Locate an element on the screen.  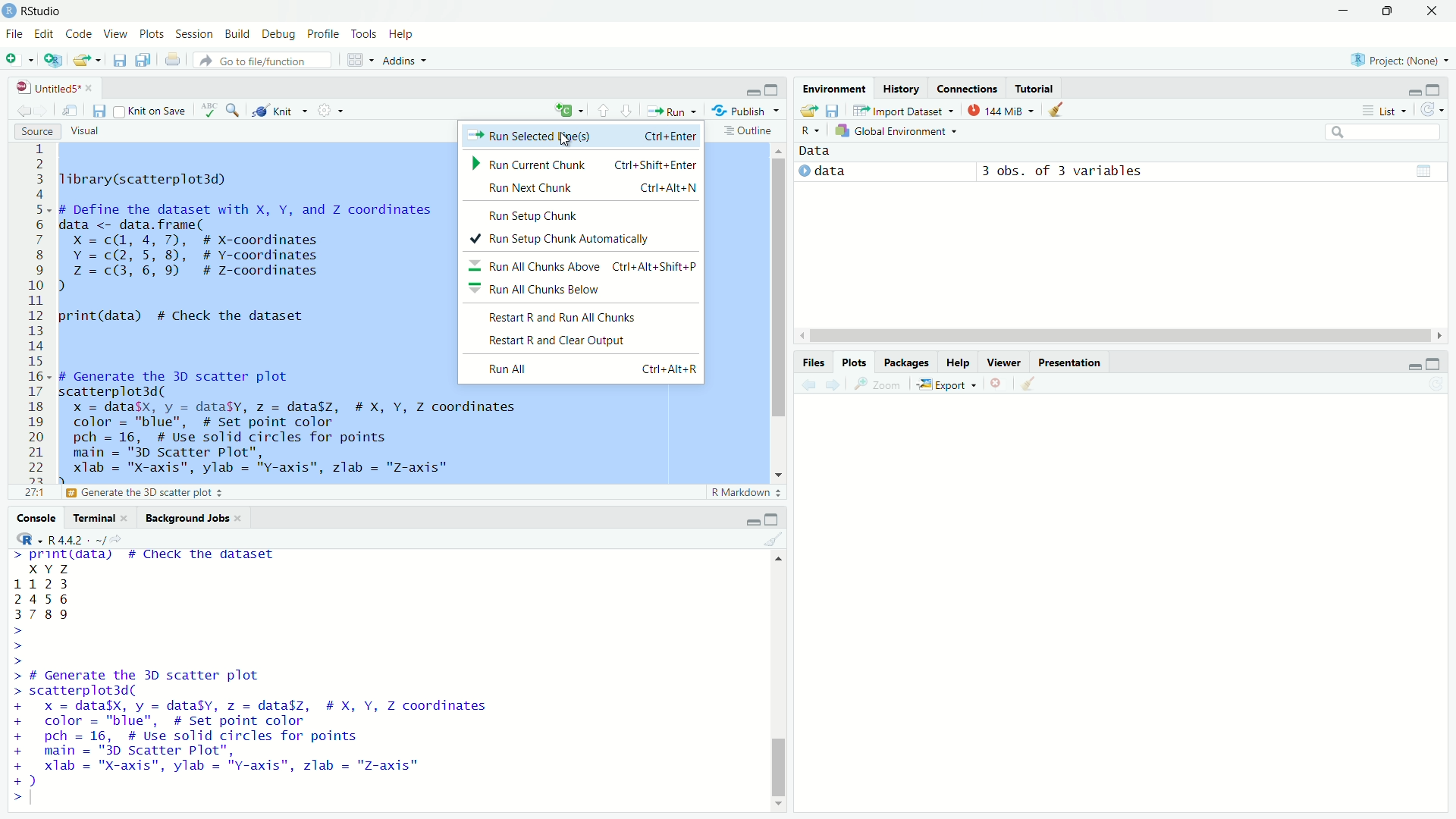
edit is located at coordinates (43, 35).